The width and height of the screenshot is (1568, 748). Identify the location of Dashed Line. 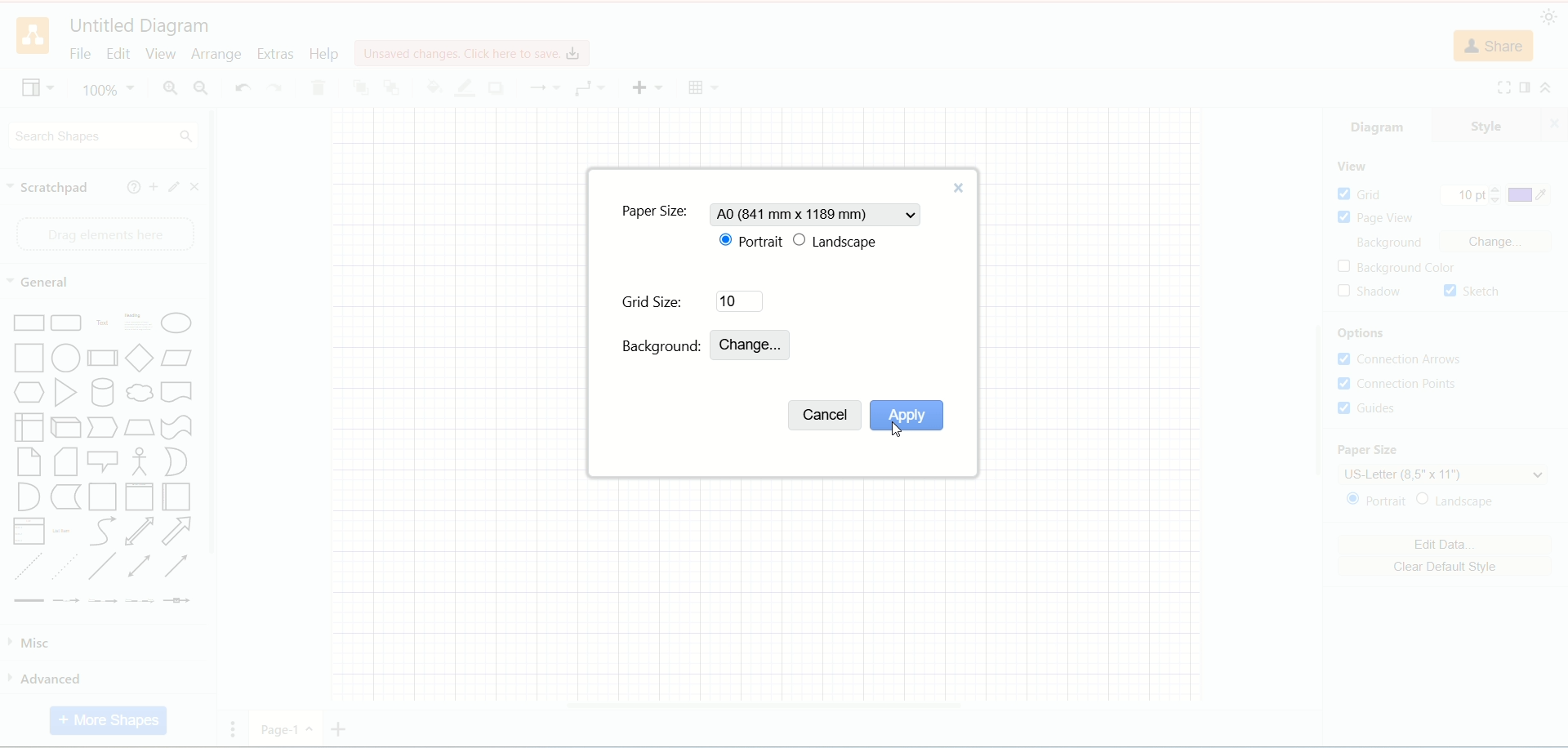
(24, 566).